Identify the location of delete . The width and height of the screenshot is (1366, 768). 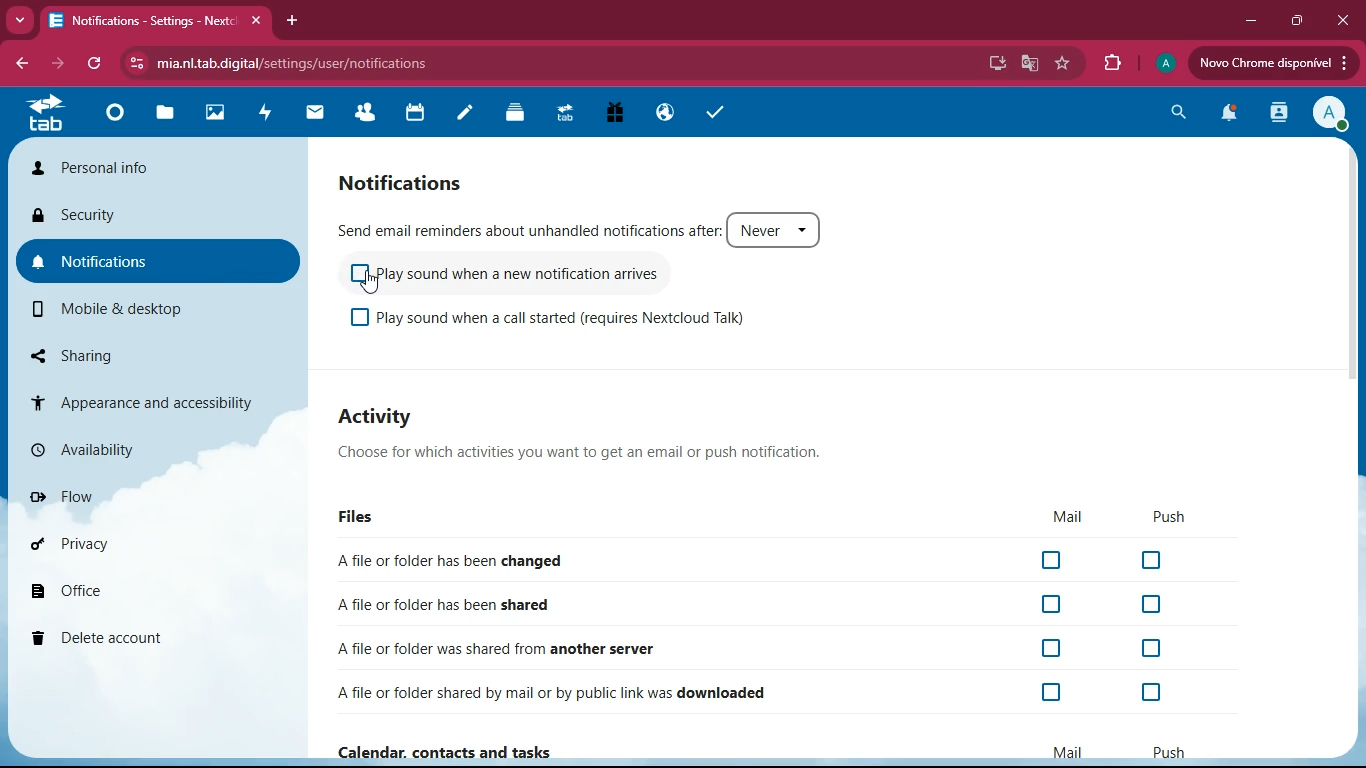
(128, 639).